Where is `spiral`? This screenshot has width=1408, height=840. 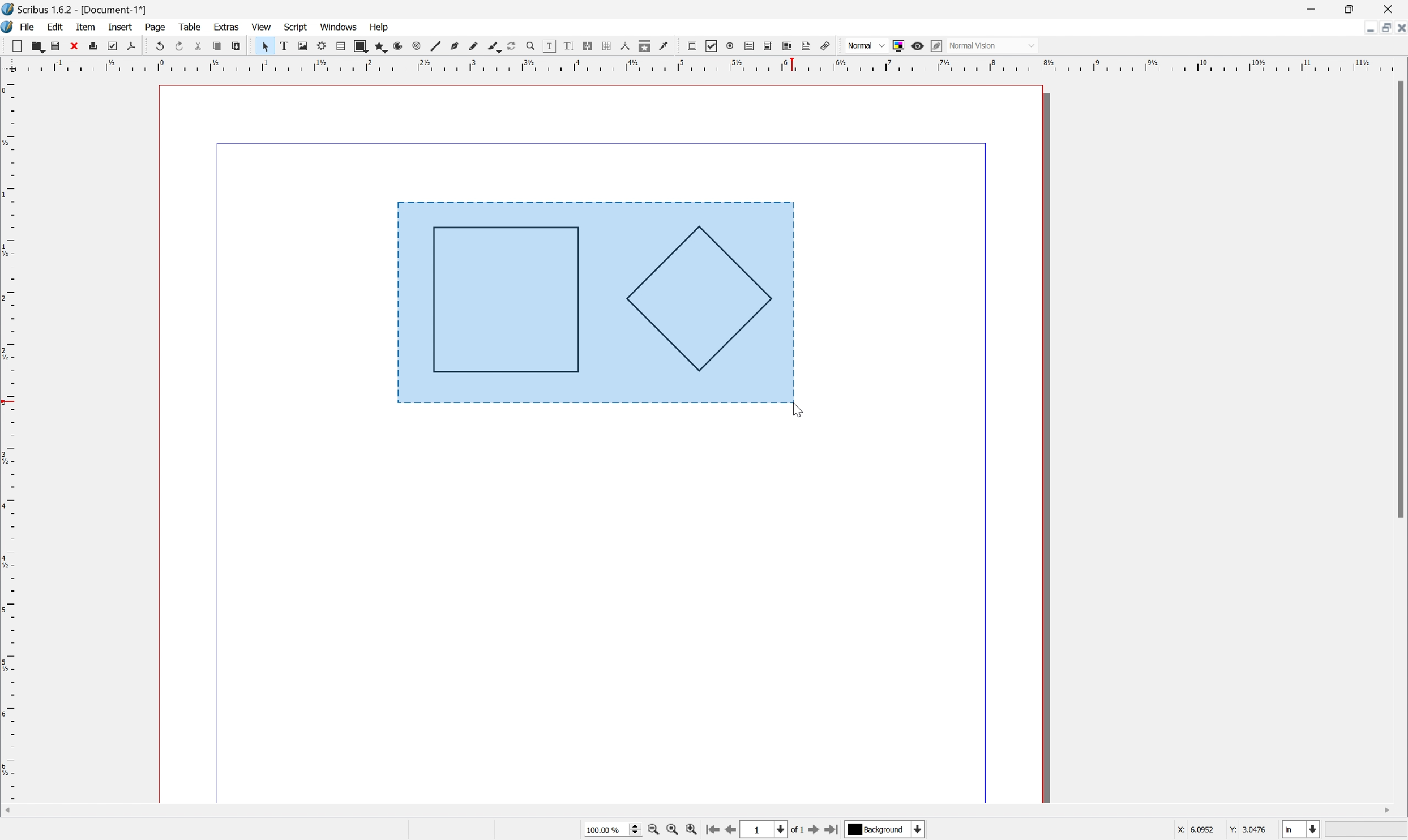 spiral is located at coordinates (414, 47).